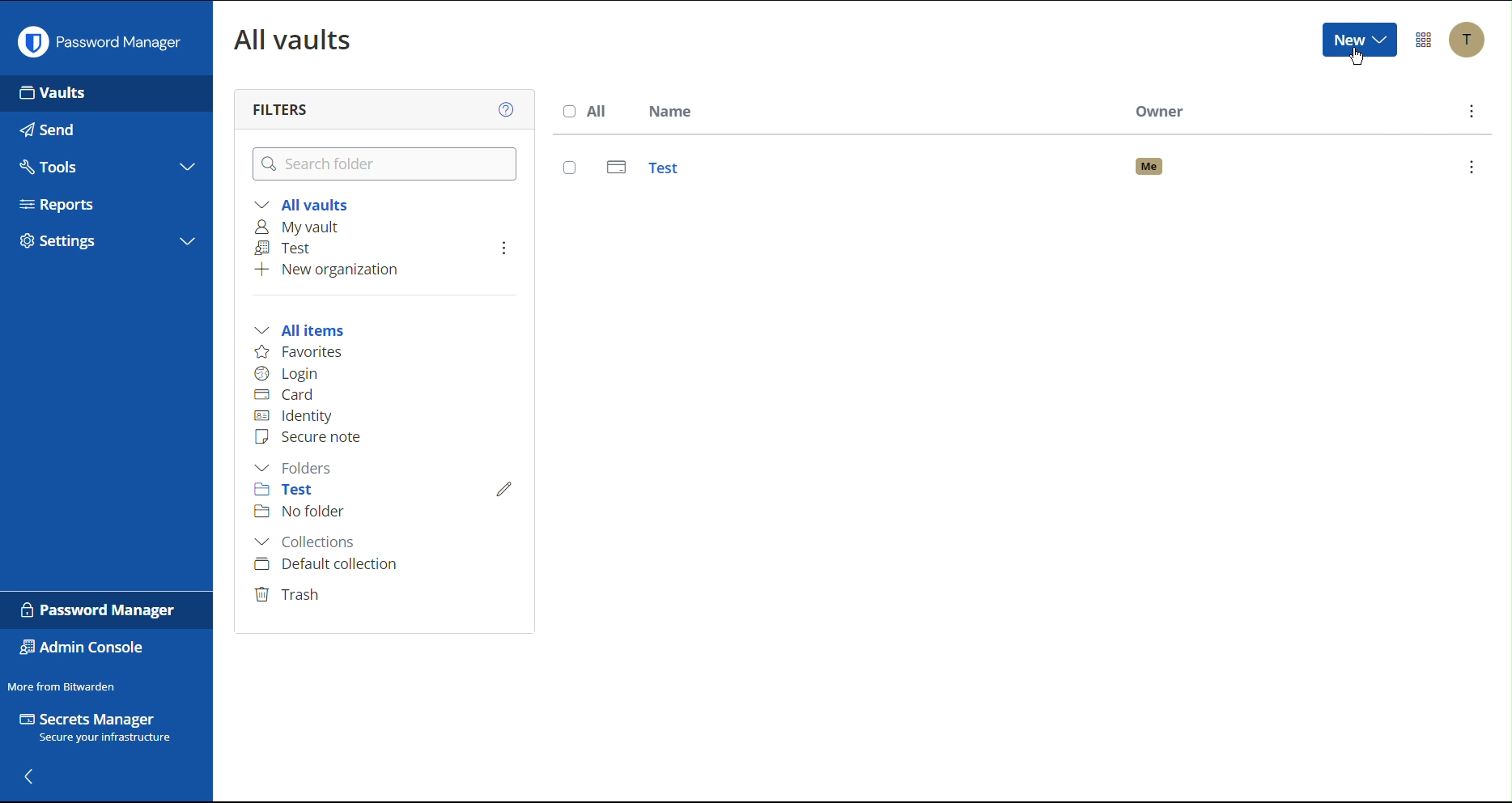  I want to click on More, so click(1469, 111).